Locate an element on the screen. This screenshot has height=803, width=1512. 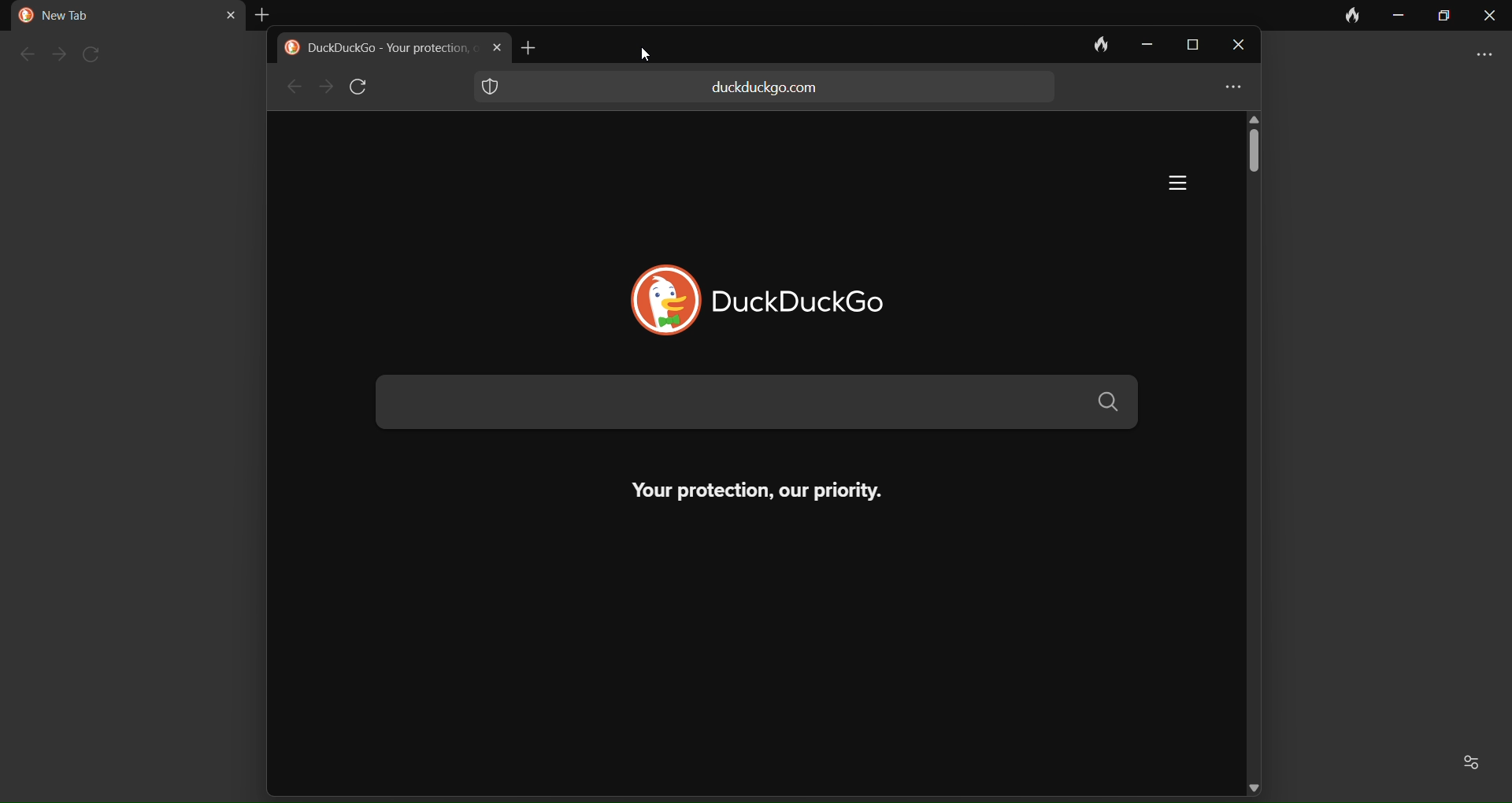
menu is located at coordinates (1162, 184).